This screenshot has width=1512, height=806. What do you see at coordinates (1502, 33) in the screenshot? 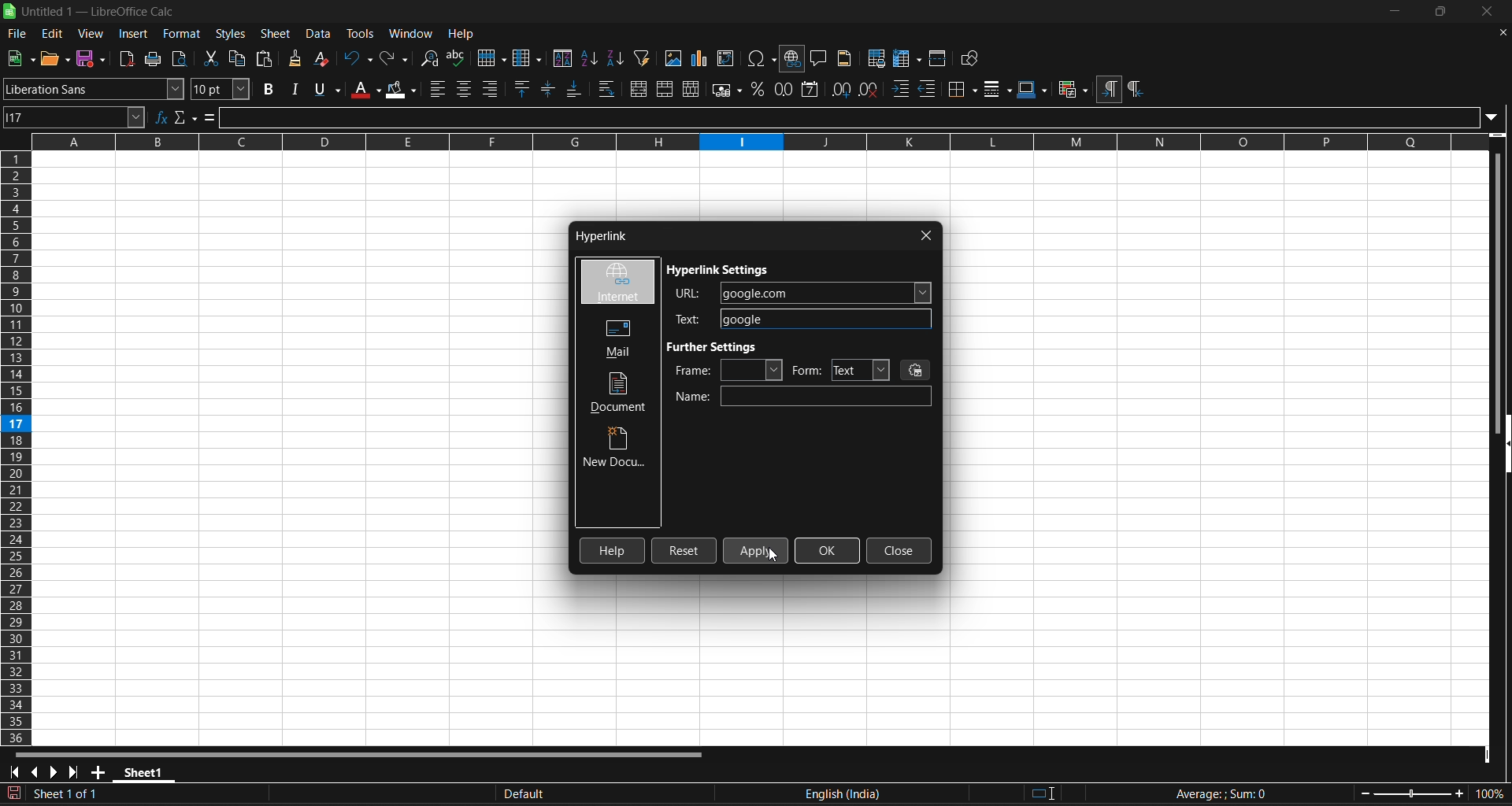
I see `close document` at bounding box center [1502, 33].